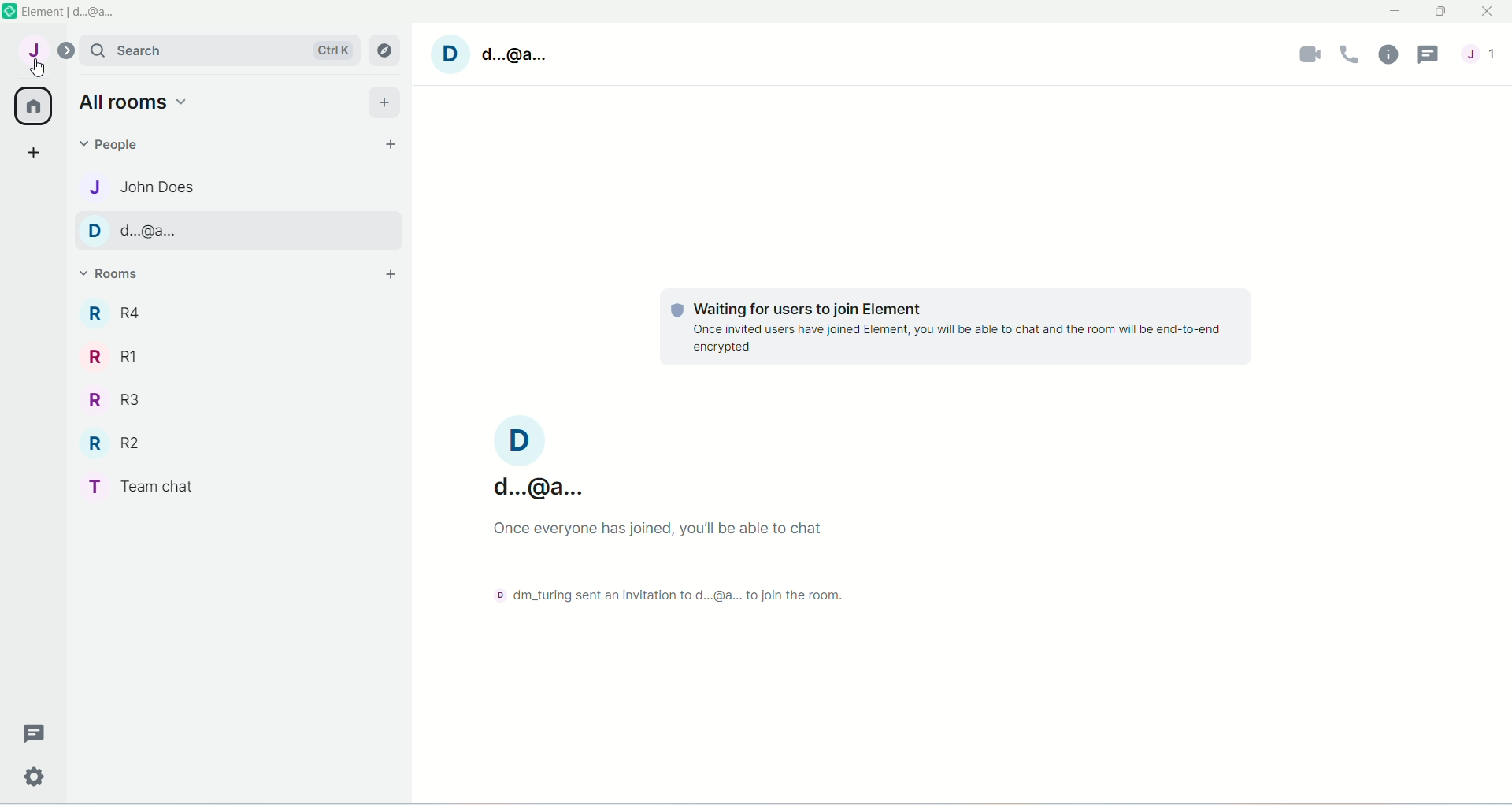  I want to click on Threads, so click(1430, 57).